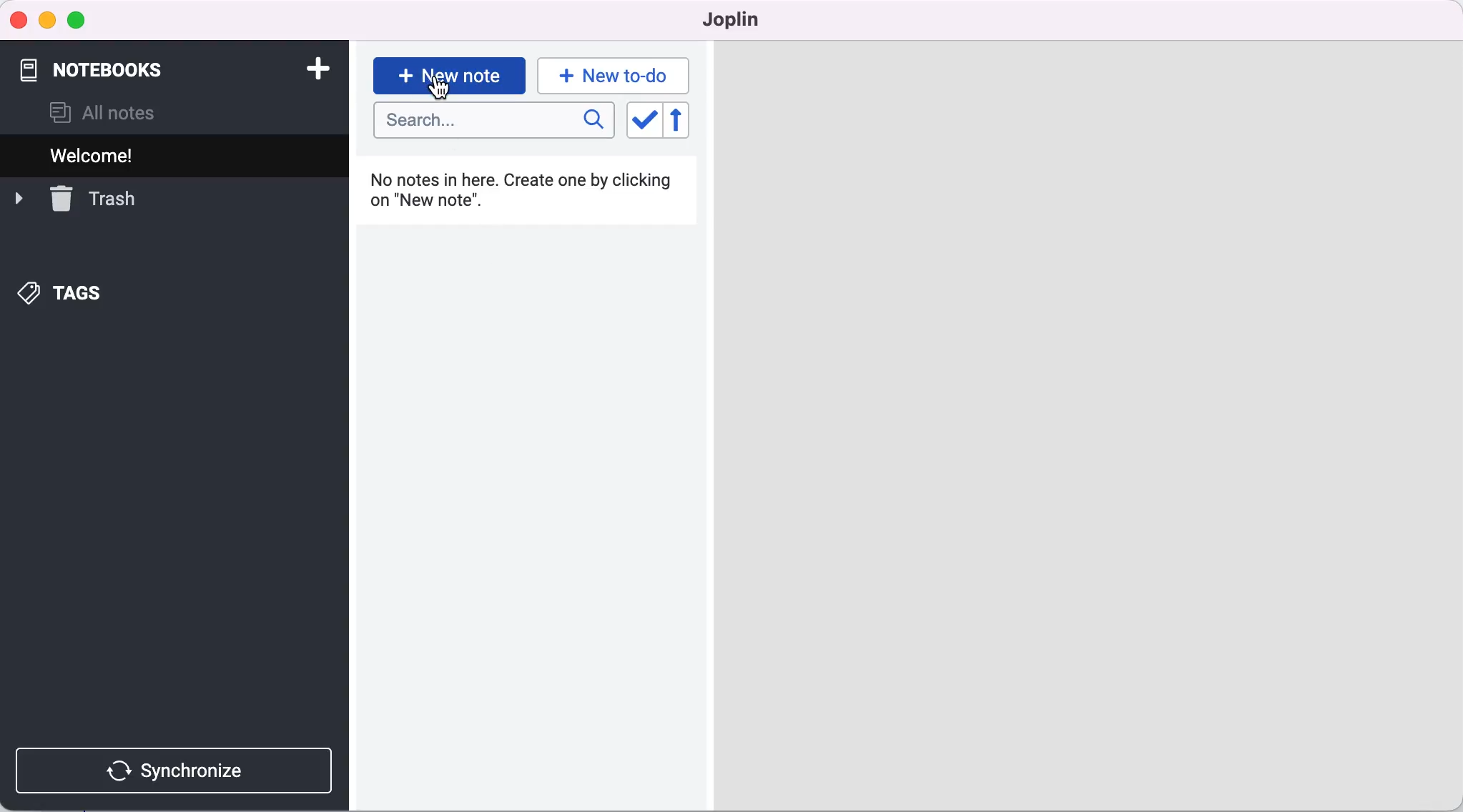 The height and width of the screenshot is (812, 1463). What do you see at coordinates (115, 155) in the screenshot?
I see `welcome` at bounding box center [115, 155].